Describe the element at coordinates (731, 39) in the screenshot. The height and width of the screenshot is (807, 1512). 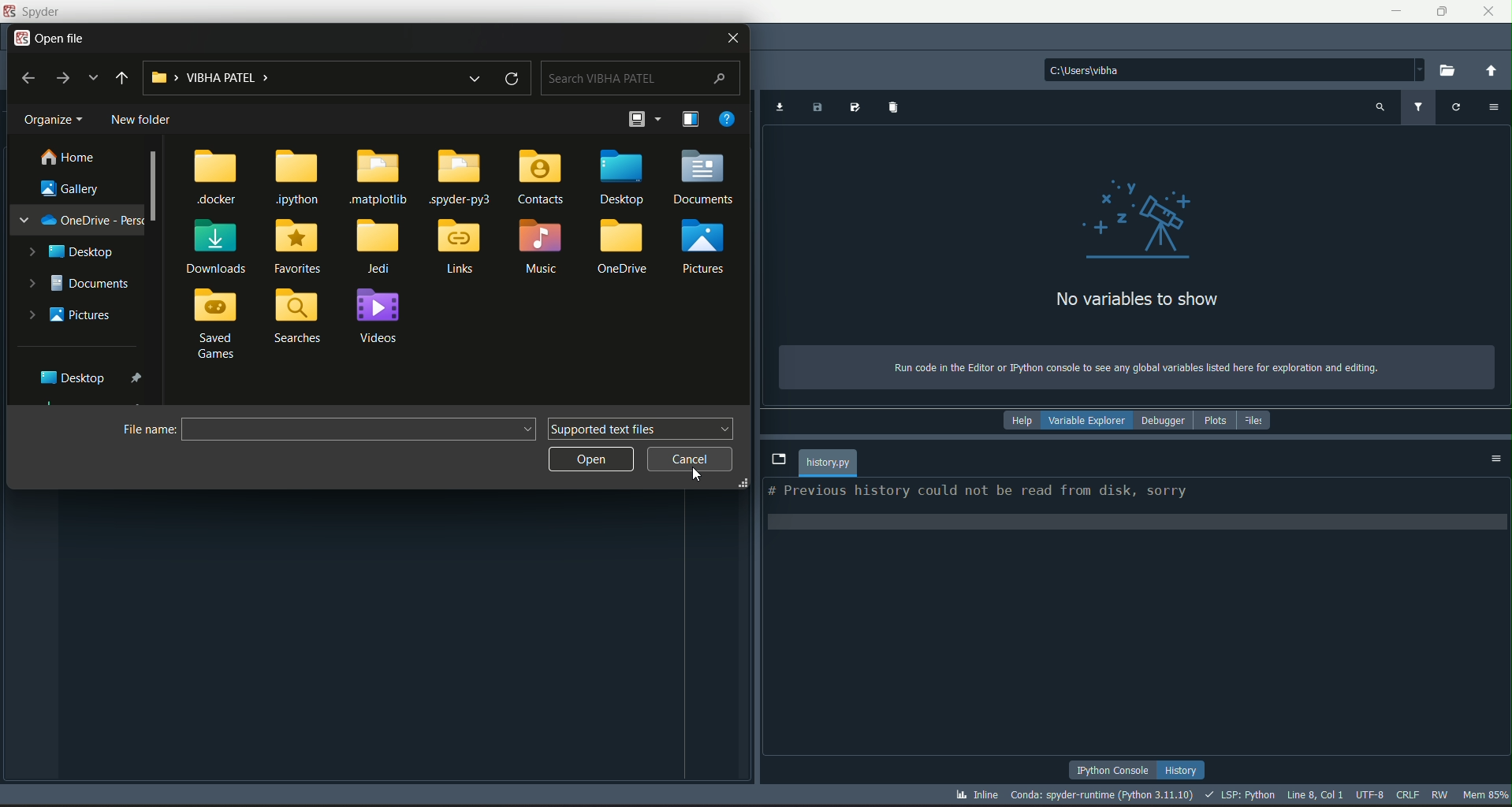
I see `close` at that location.